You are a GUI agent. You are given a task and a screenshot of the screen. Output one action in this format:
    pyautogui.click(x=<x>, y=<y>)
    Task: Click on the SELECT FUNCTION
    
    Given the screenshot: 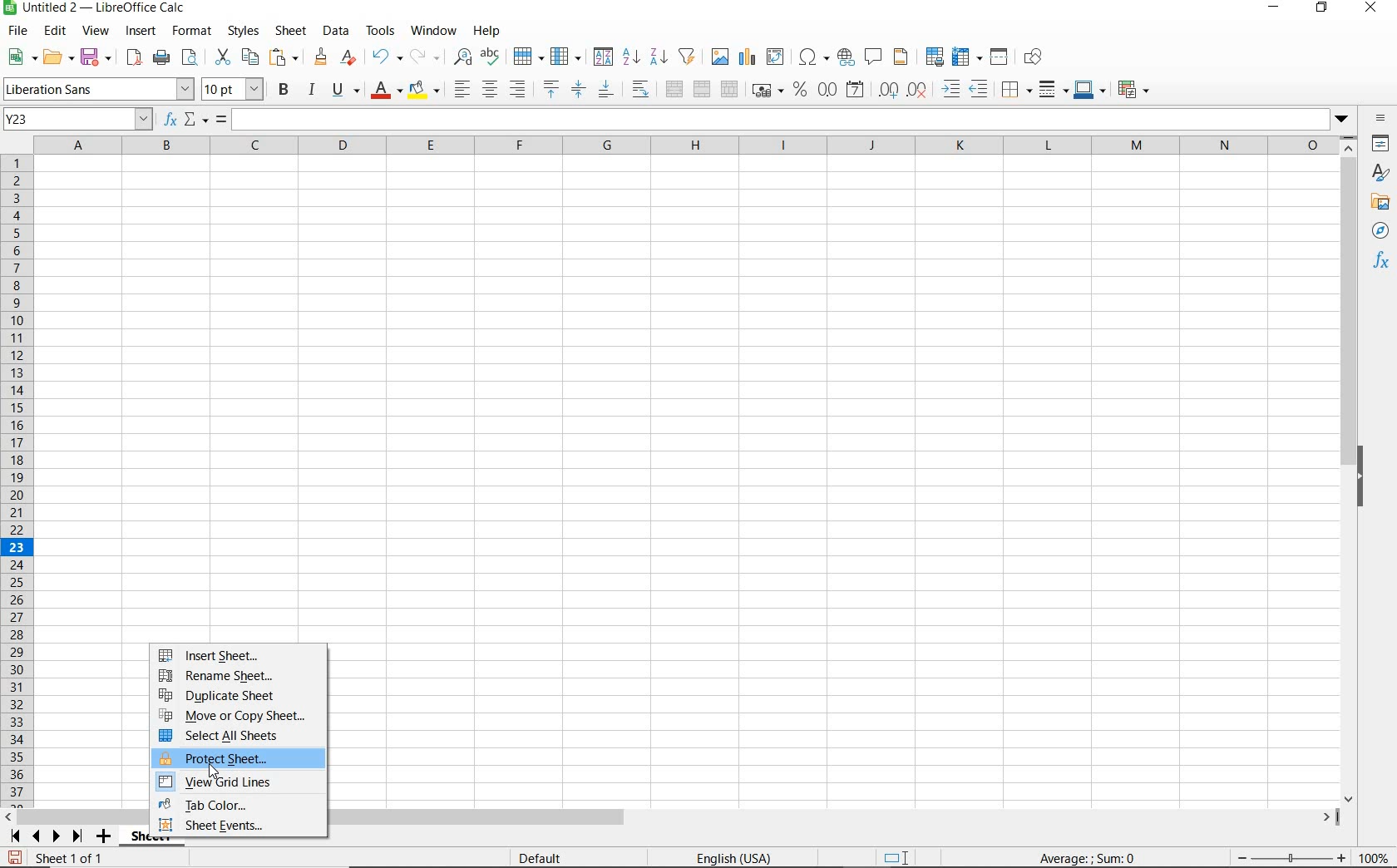 What is the action you would take?
    pyautogui.click(x=196, y=121)
    